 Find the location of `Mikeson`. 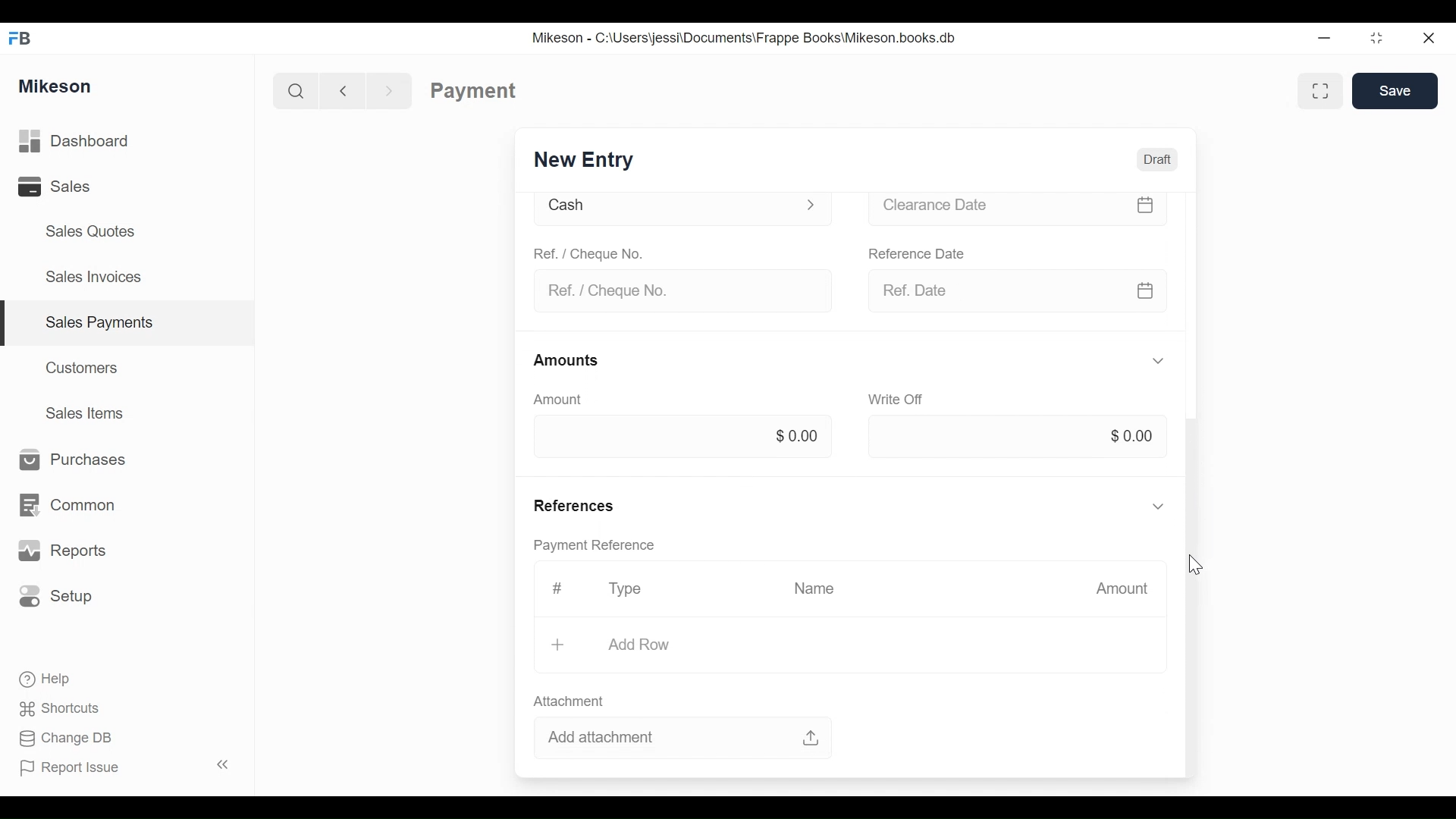

Mikeson is located at coordinates (56, 84).